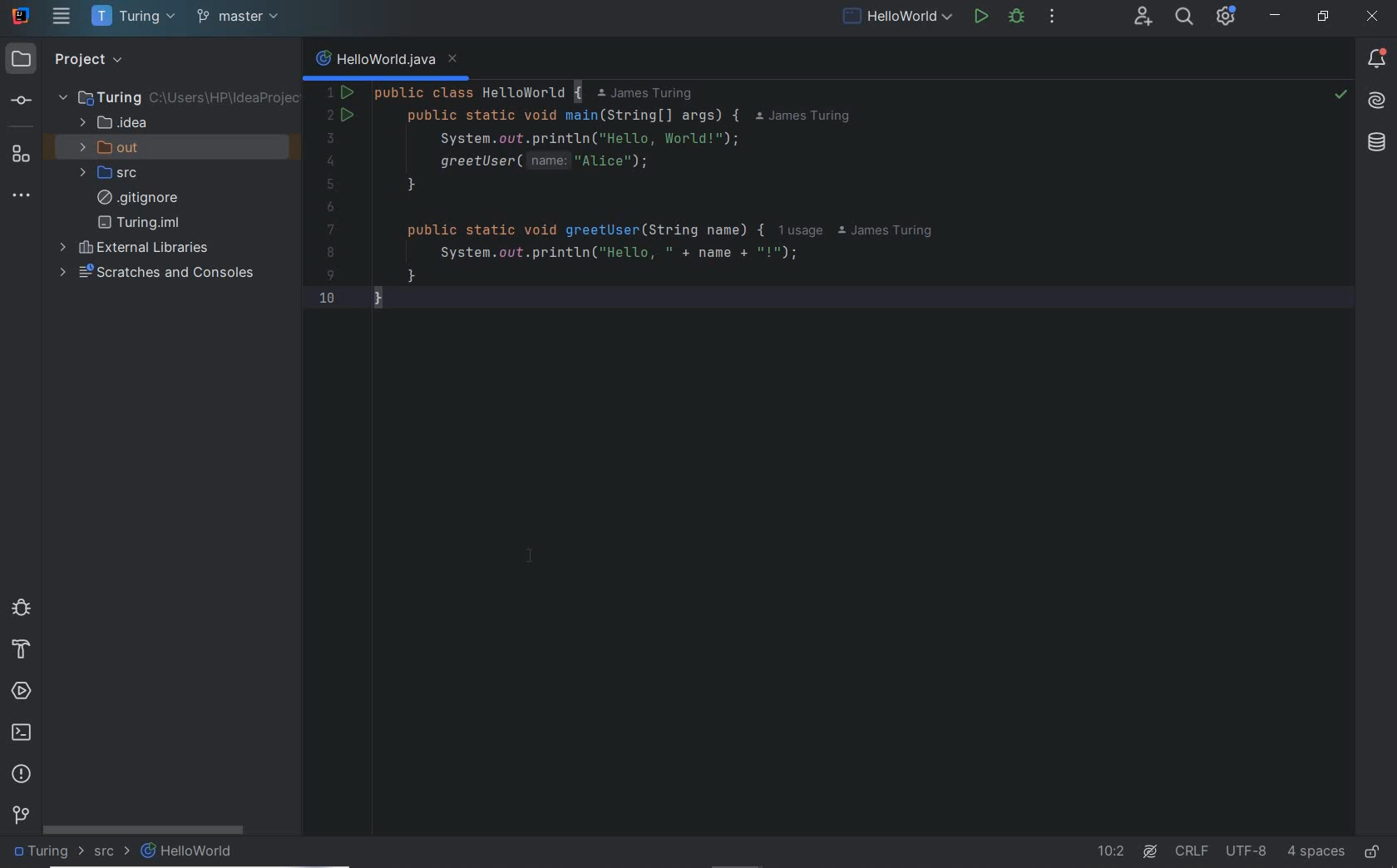 The height and width of the screenshot is (868, 1397). Describe the element at coordinates (132, 17) in the screenshot. I see `Turing(project name)` at that location.